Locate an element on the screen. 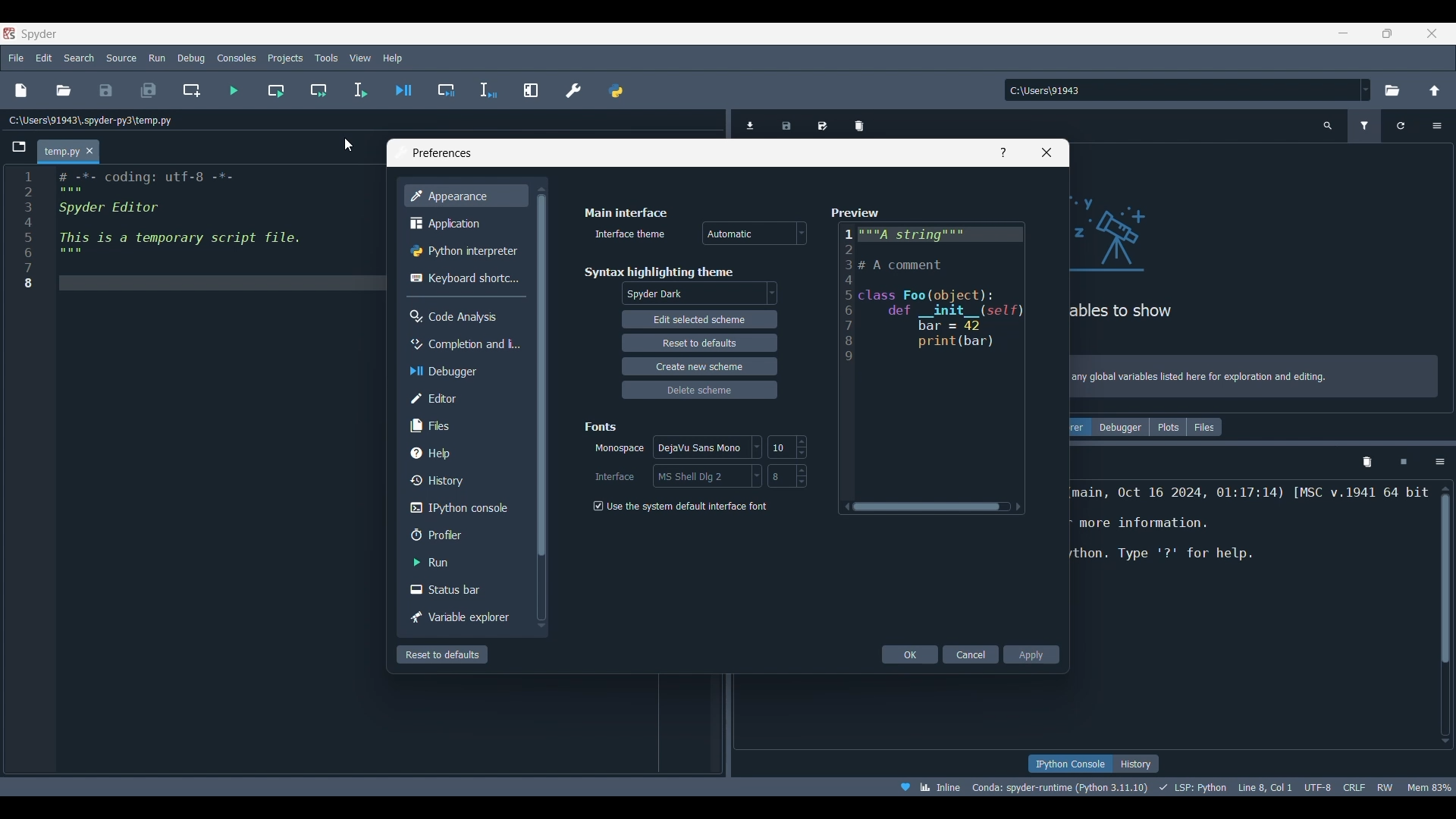 Image resolution: width=1456 pixels, height=819 pixels. interface is located at coordinates (704, 476).